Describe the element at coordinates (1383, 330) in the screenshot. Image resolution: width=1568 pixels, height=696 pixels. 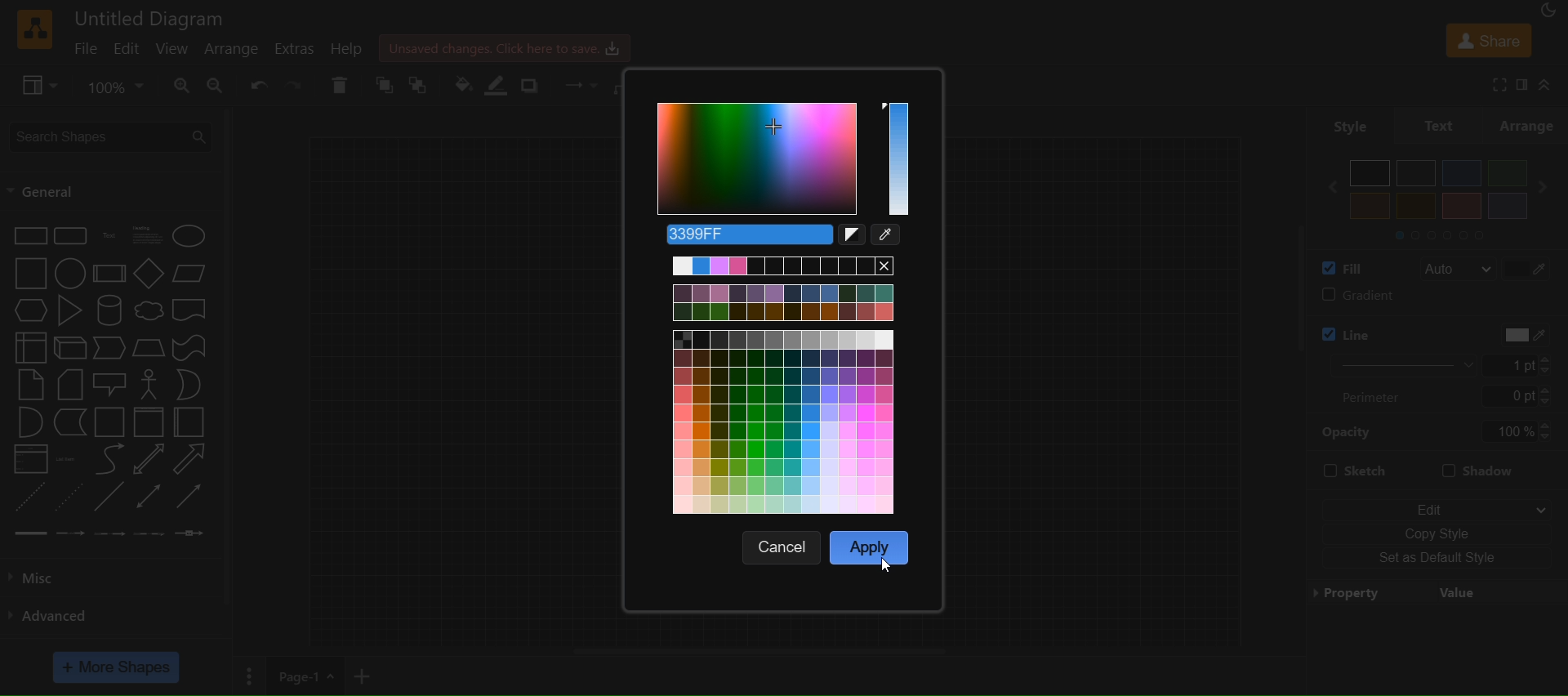
I see `line color` at that location.